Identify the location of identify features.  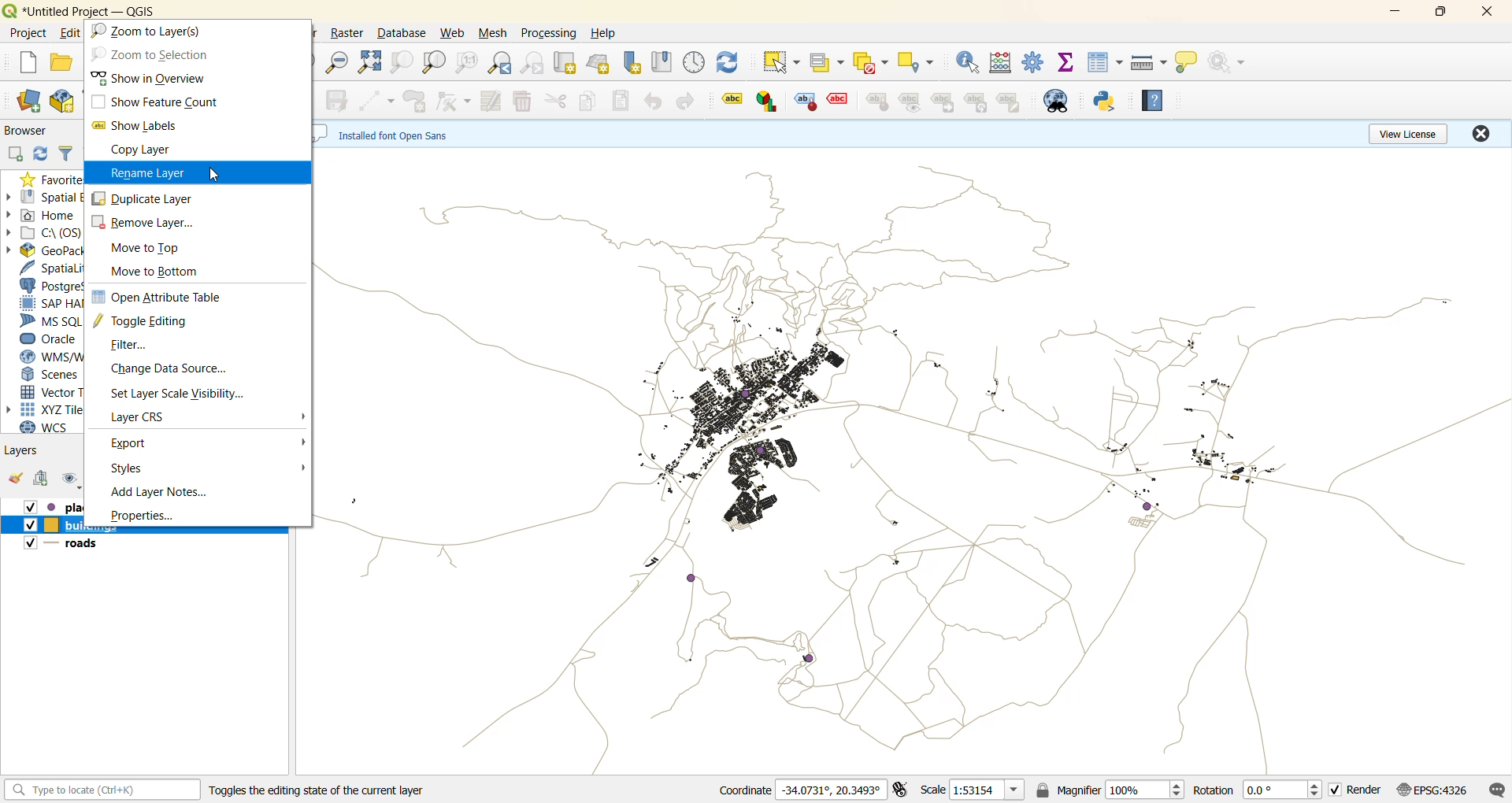
(968, 63).